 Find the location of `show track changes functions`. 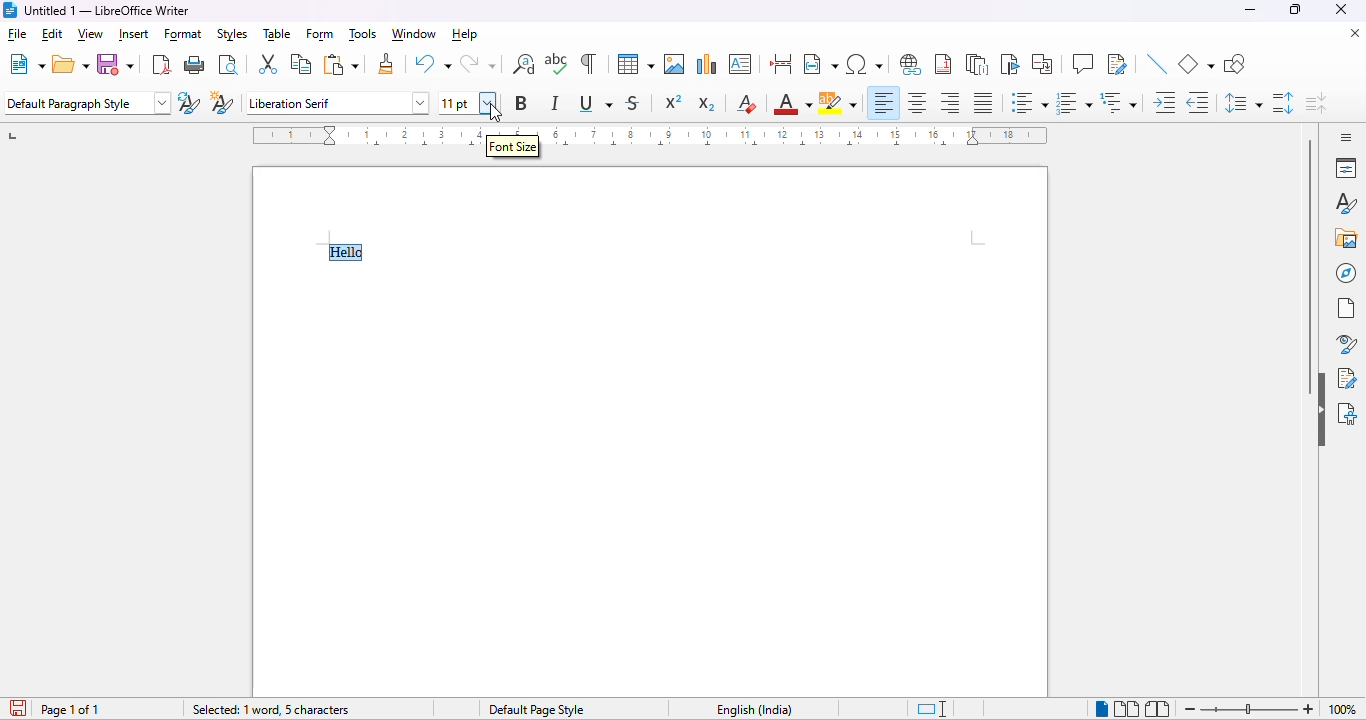

show track changes functions is located at coordinates (1118, 64).